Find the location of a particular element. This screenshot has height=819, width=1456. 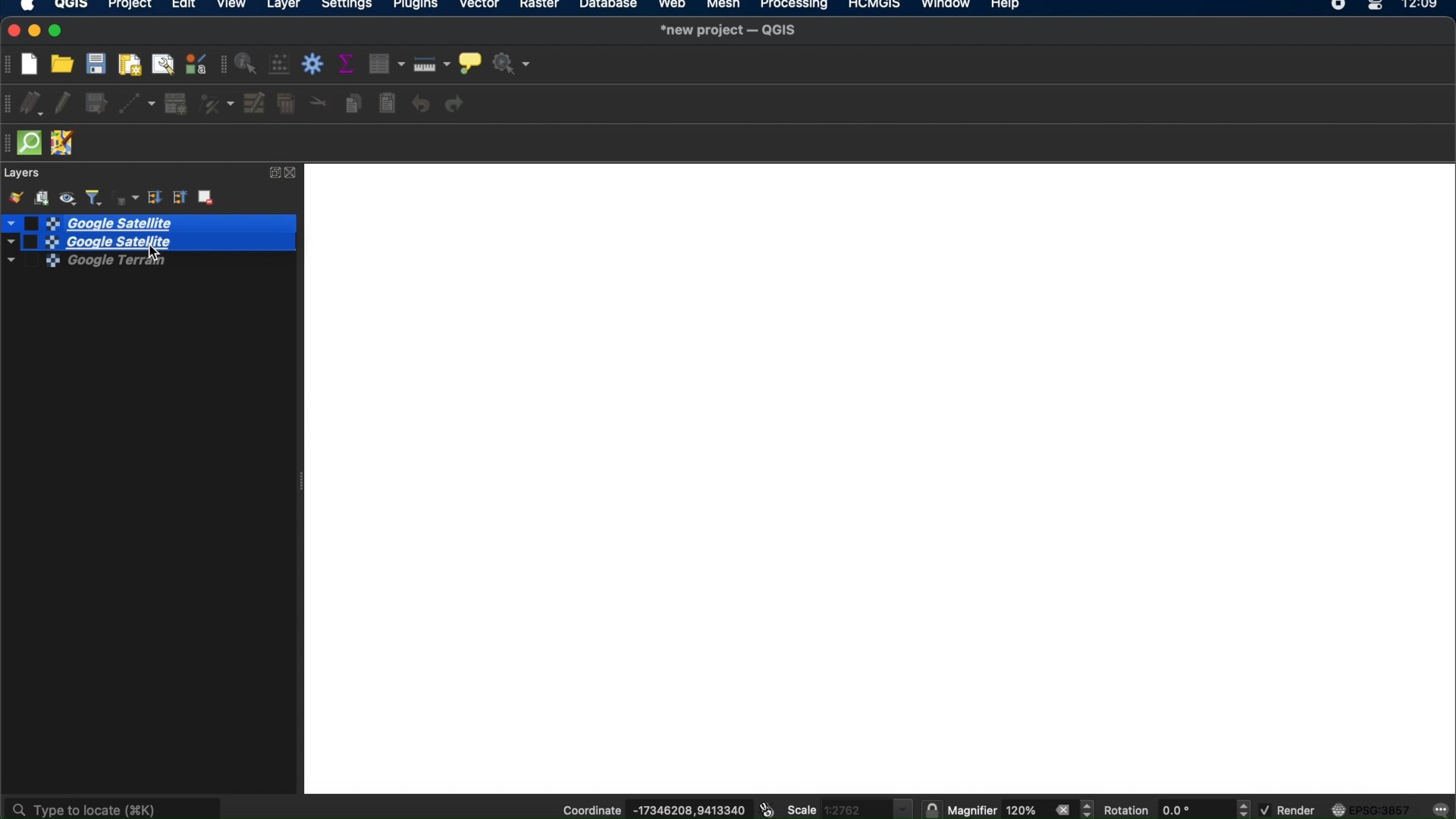

help is located at coordinates (1008, 7).